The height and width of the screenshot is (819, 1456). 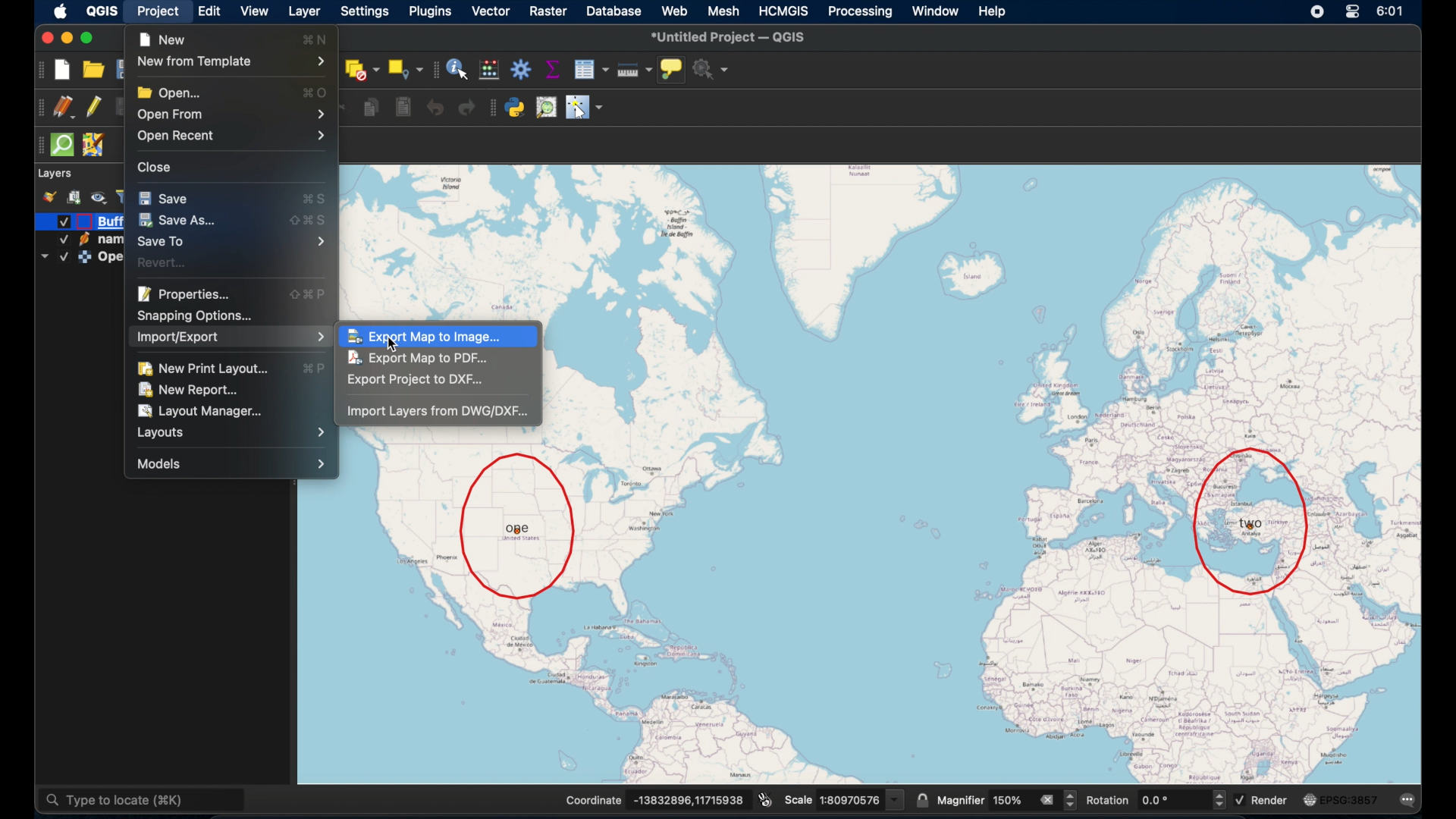 I want to click on command N, so click(x=317, y=38).